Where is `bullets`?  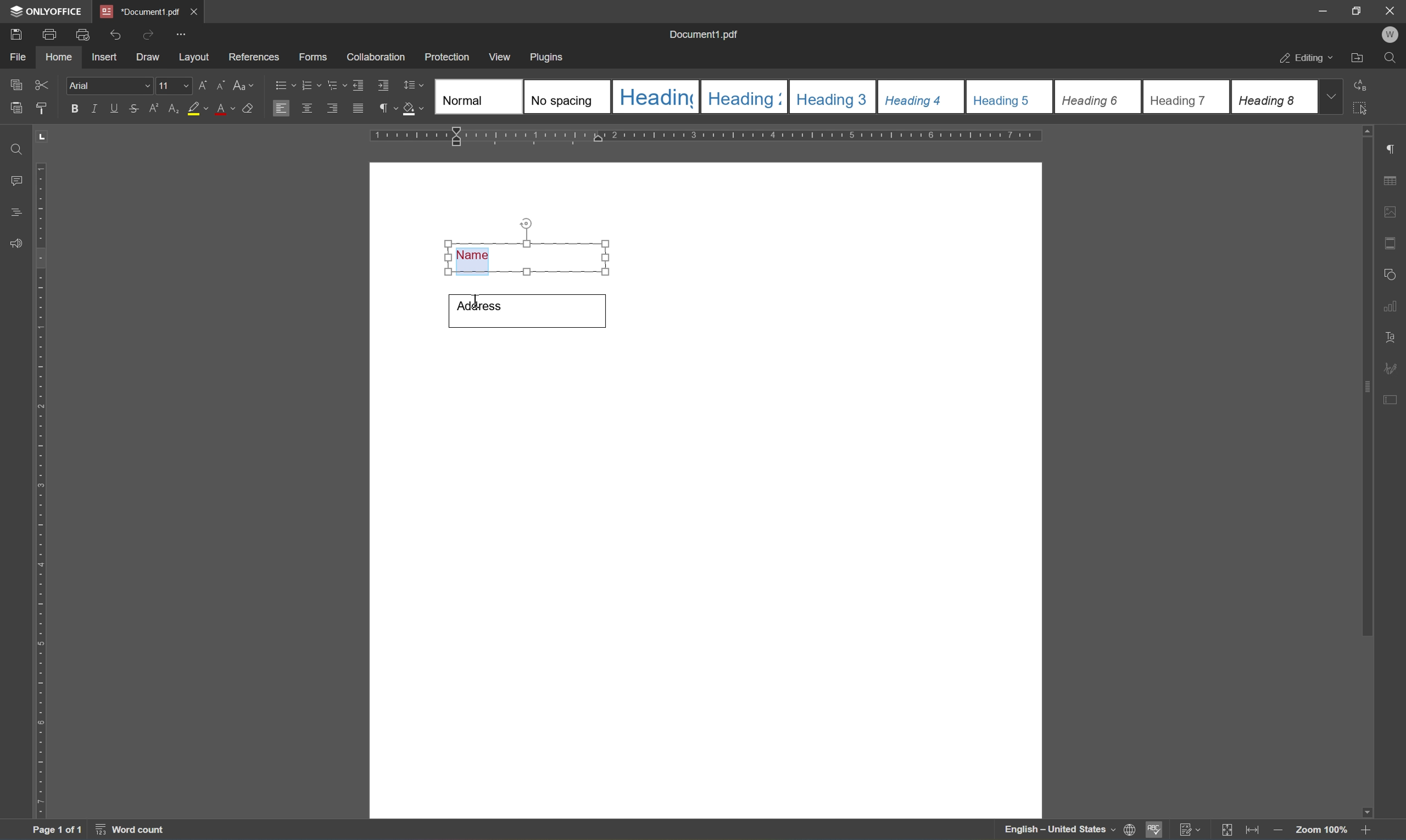 bullets is located at coordinates (282, 84).